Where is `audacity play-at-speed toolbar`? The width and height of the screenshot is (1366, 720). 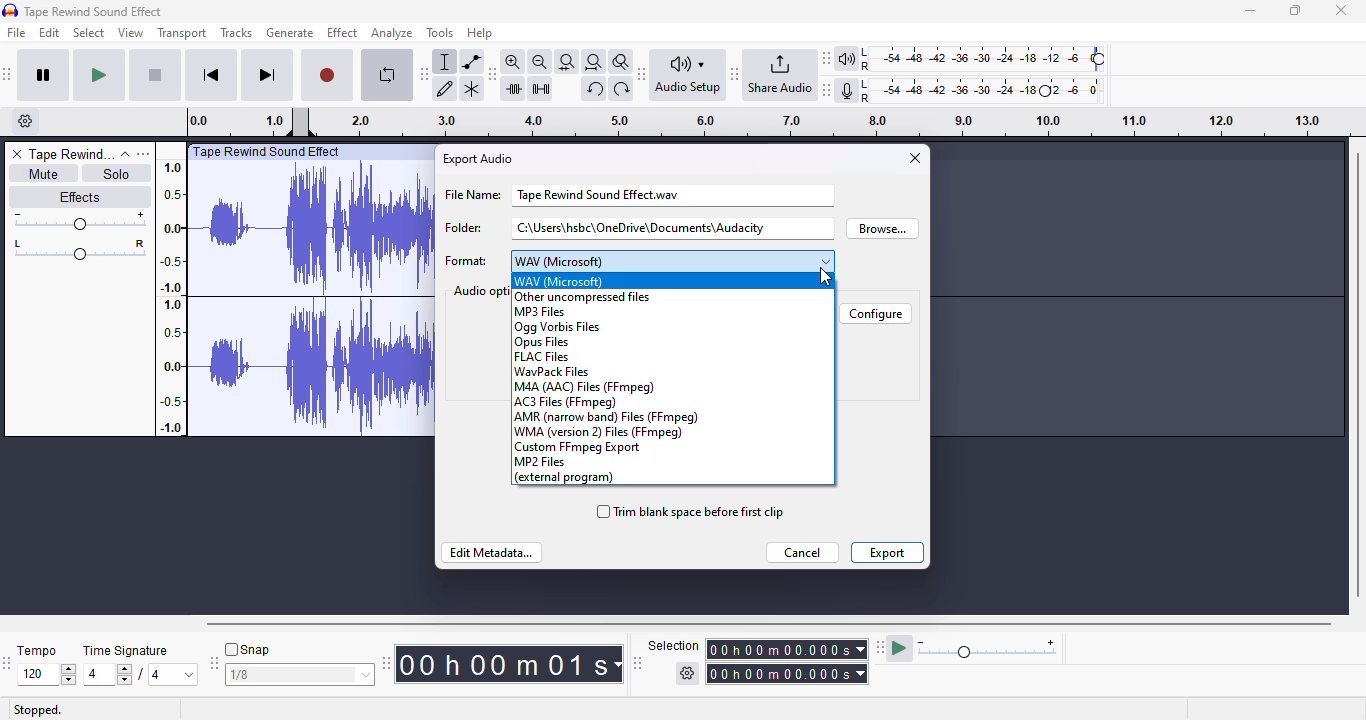
audacity play-at-speed toolbar is located at coordinates (971, 649).